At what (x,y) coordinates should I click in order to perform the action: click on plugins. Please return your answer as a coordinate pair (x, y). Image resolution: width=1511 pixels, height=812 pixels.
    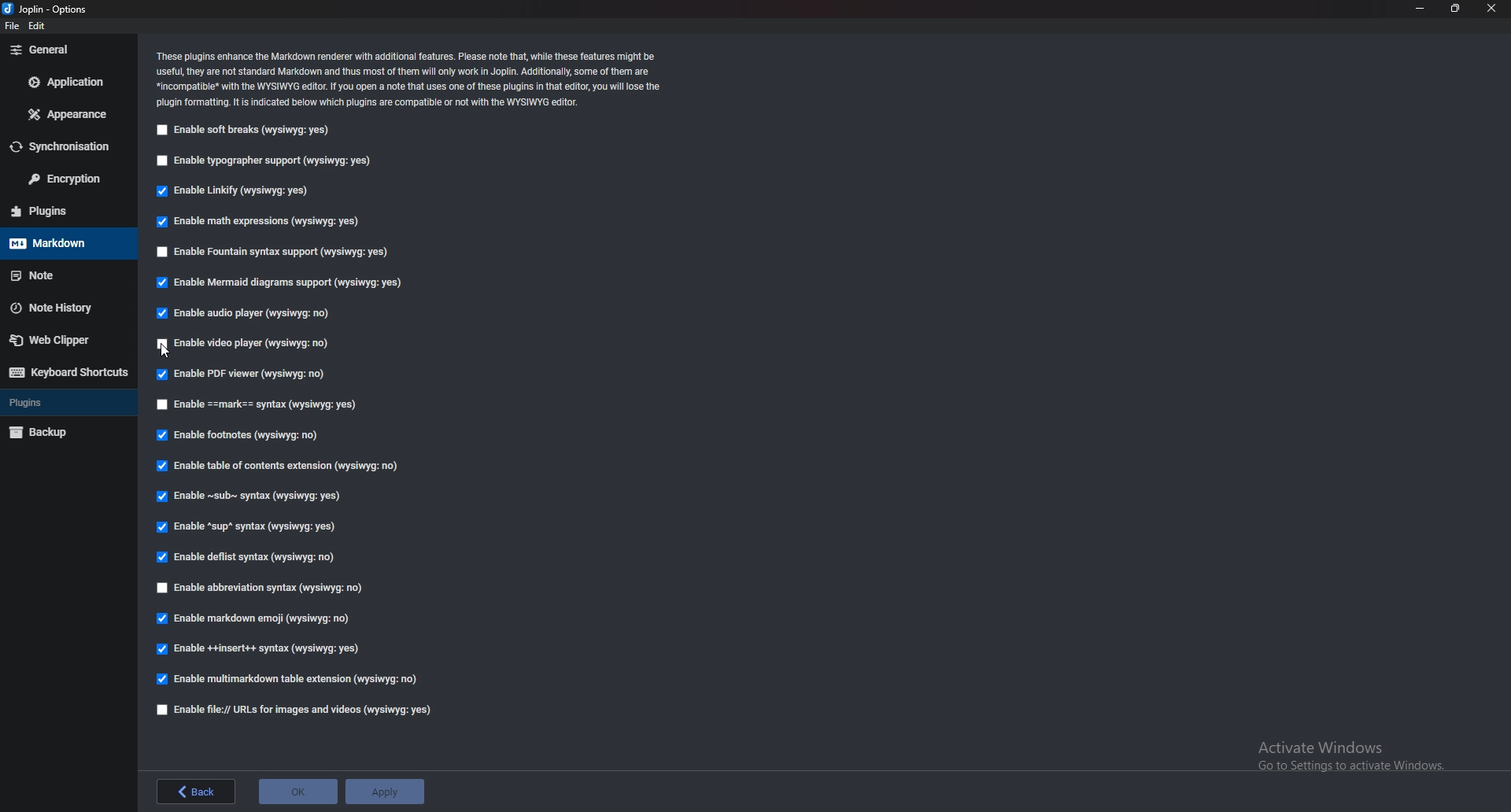
    Looking at the image, I should click on (65, 210).